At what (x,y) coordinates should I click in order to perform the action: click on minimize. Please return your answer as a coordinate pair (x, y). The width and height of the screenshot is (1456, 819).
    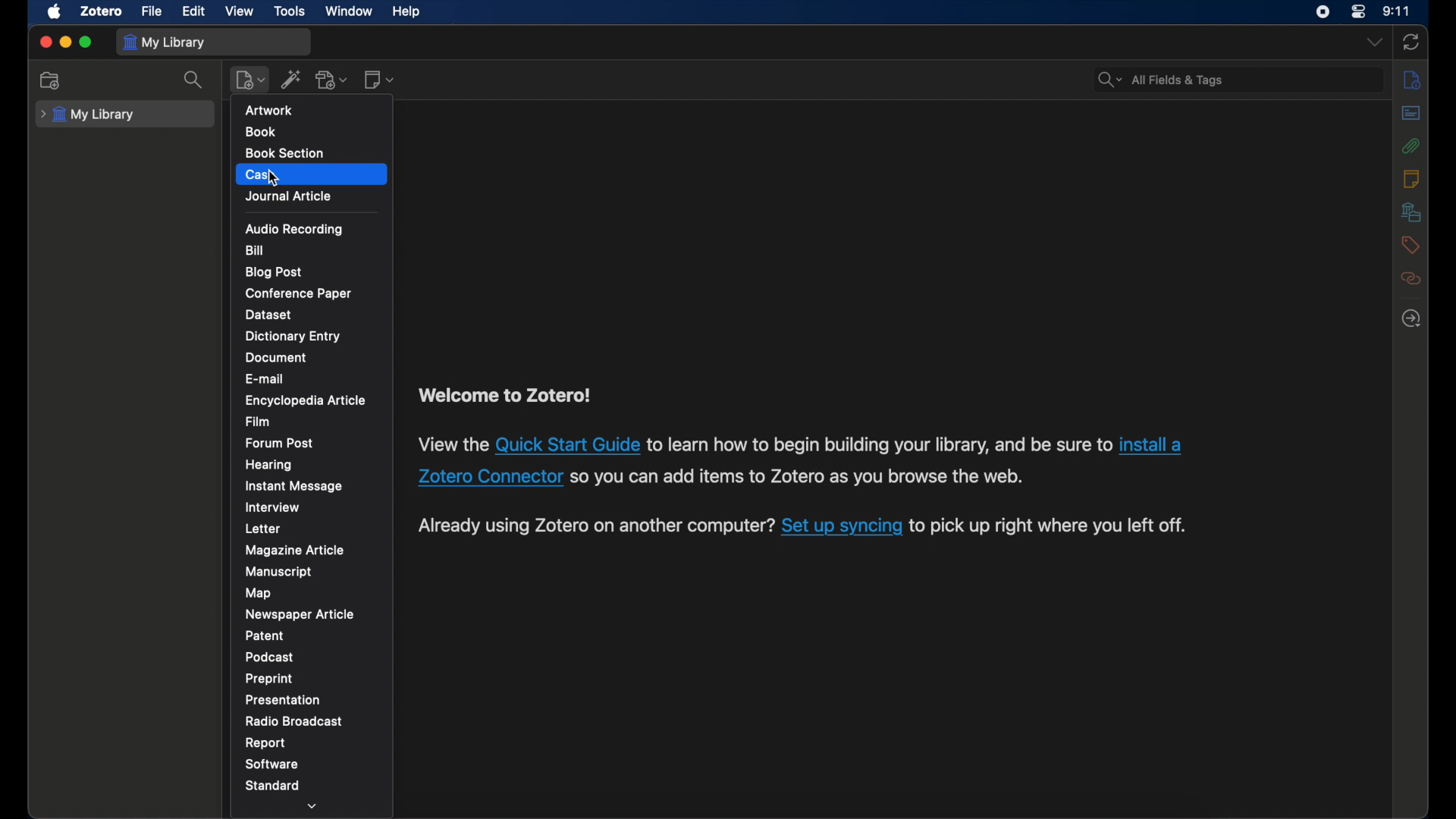
    Looking at the image, I should click on (65, 42).